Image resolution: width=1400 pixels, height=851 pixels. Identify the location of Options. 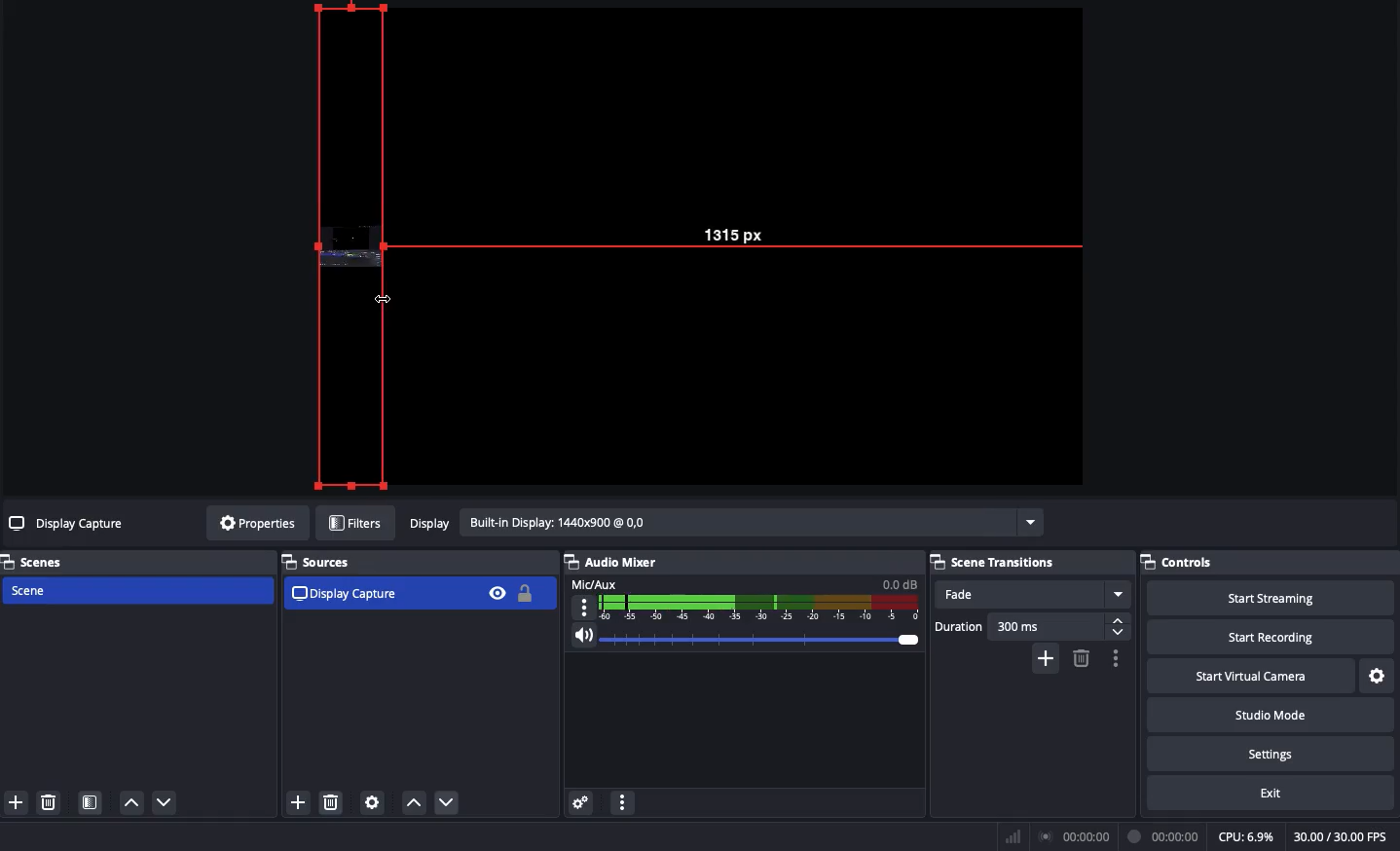
(1113, 658).